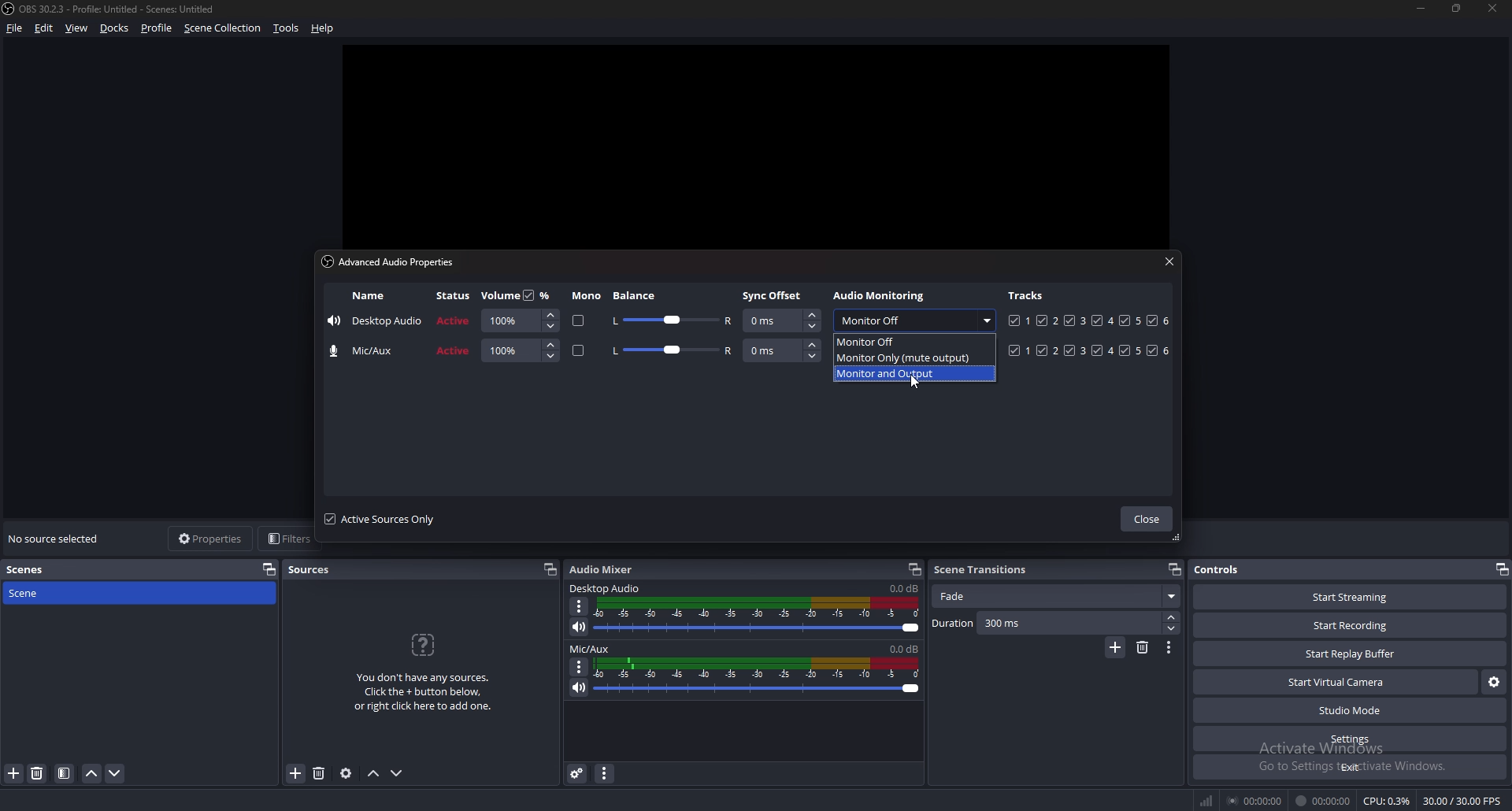 This screenshot has width=1512, height=811. I want to click on volume, so click(499, 296).